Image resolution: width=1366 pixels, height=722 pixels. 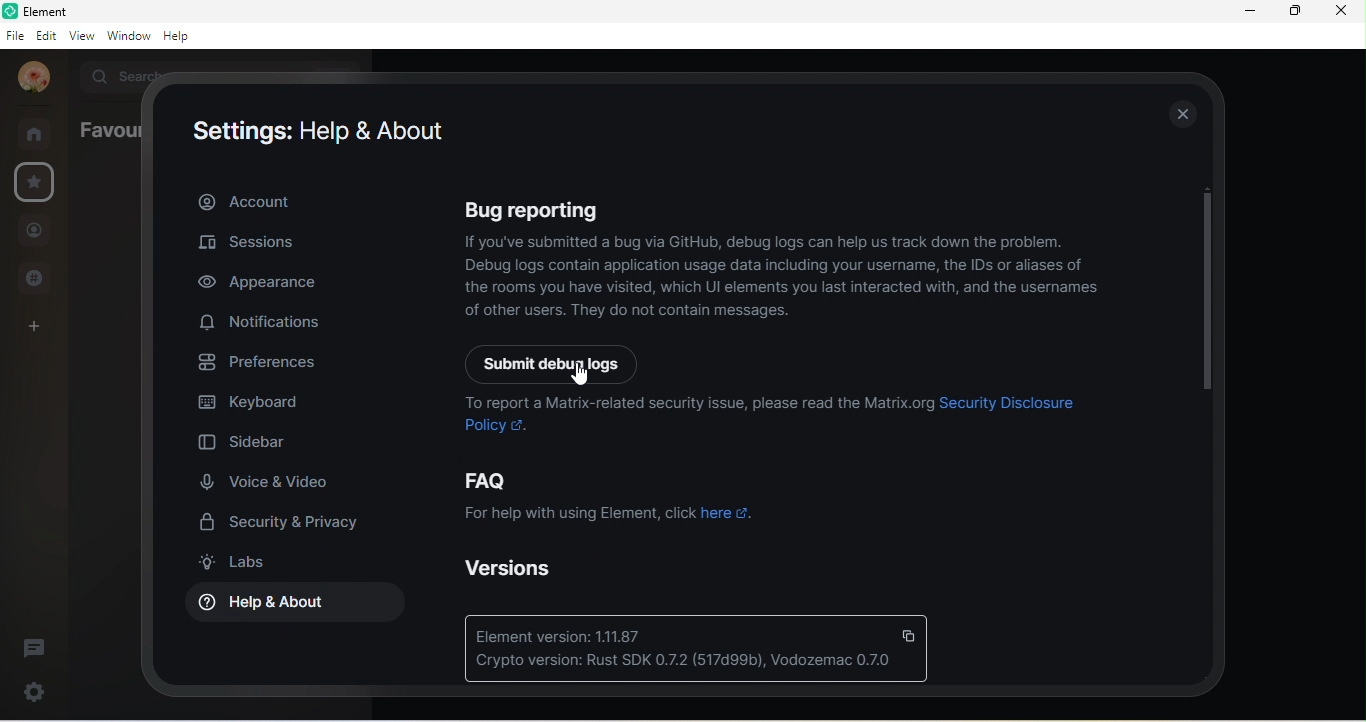 I want to click on people, so click(x=35, y=230).